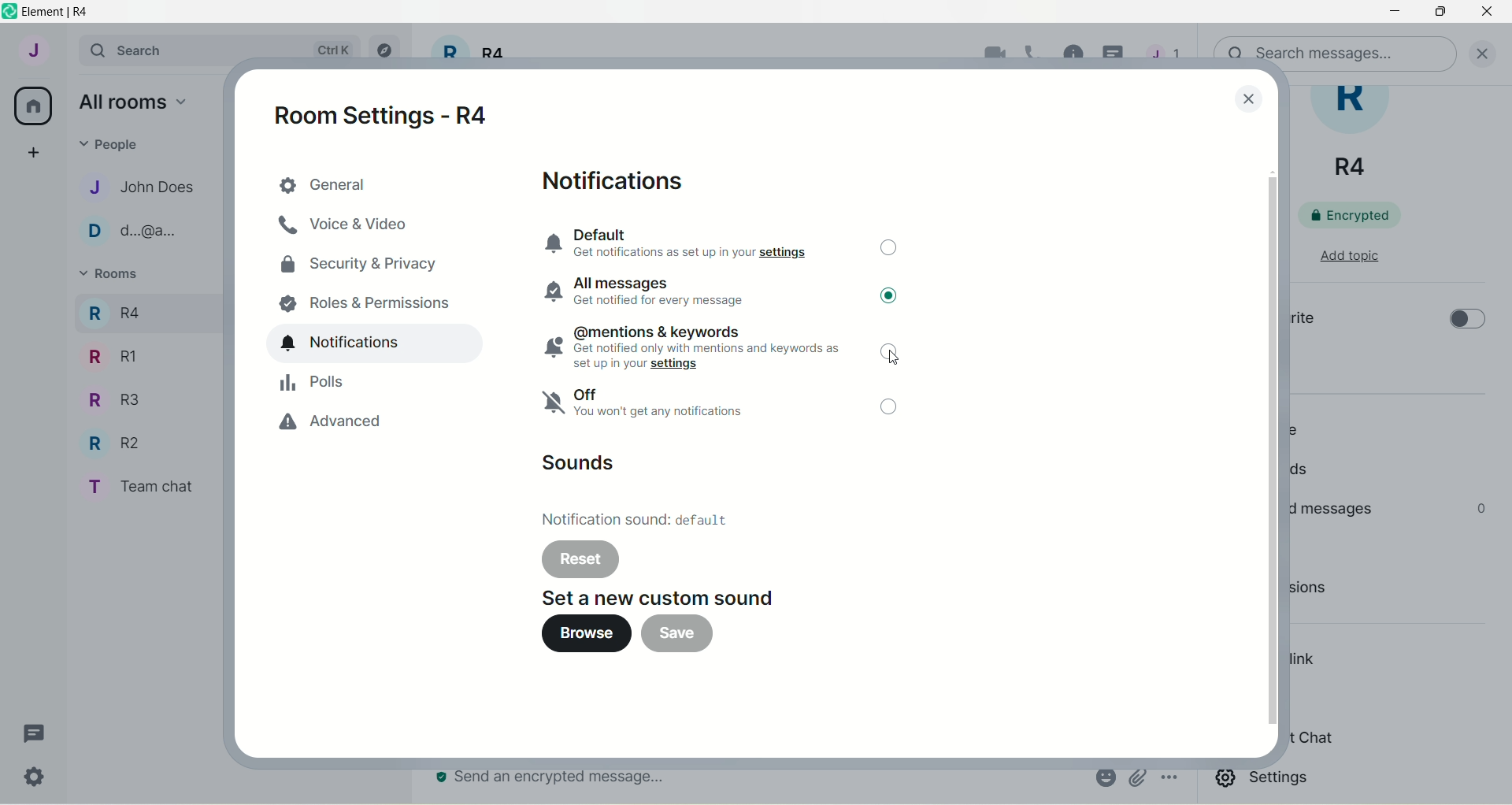  What do you see at coordinates (1336, 49) in the screenshot?
I see `search message` at bounding box center [1336, 49].